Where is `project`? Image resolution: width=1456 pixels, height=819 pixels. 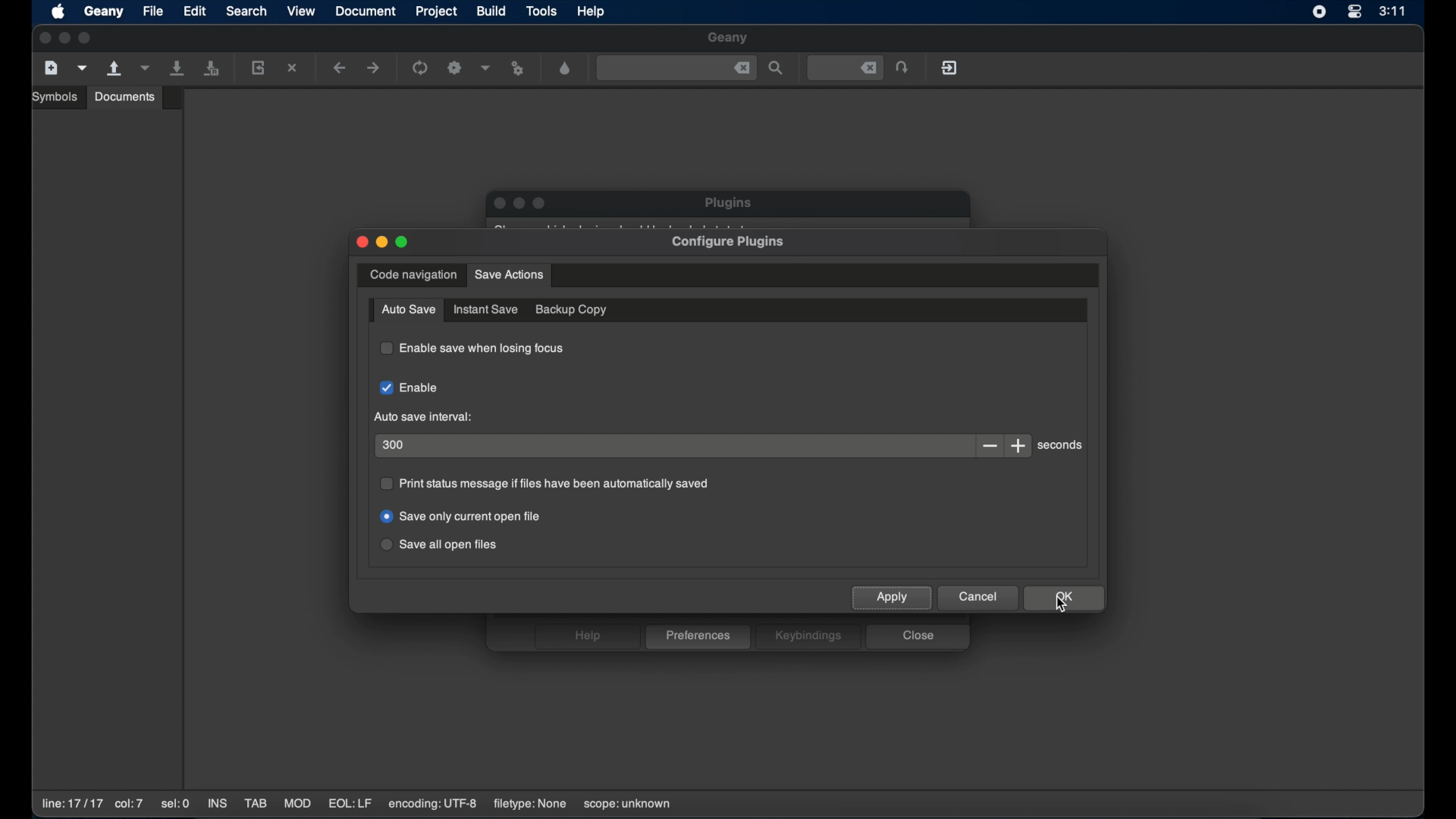
project is located at coordinates (438, 11).